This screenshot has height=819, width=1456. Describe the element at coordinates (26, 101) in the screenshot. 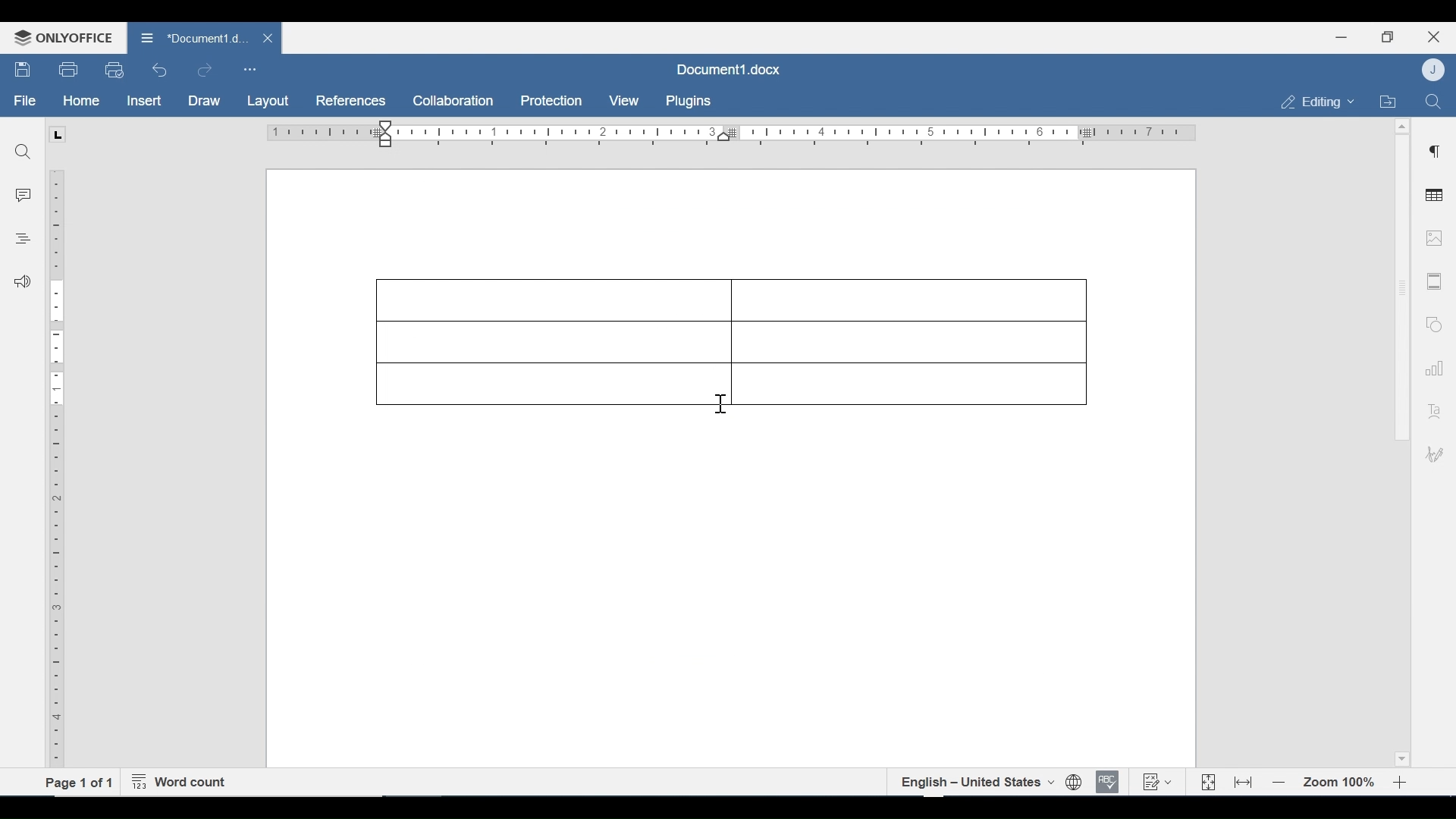

I see `File` at that location.